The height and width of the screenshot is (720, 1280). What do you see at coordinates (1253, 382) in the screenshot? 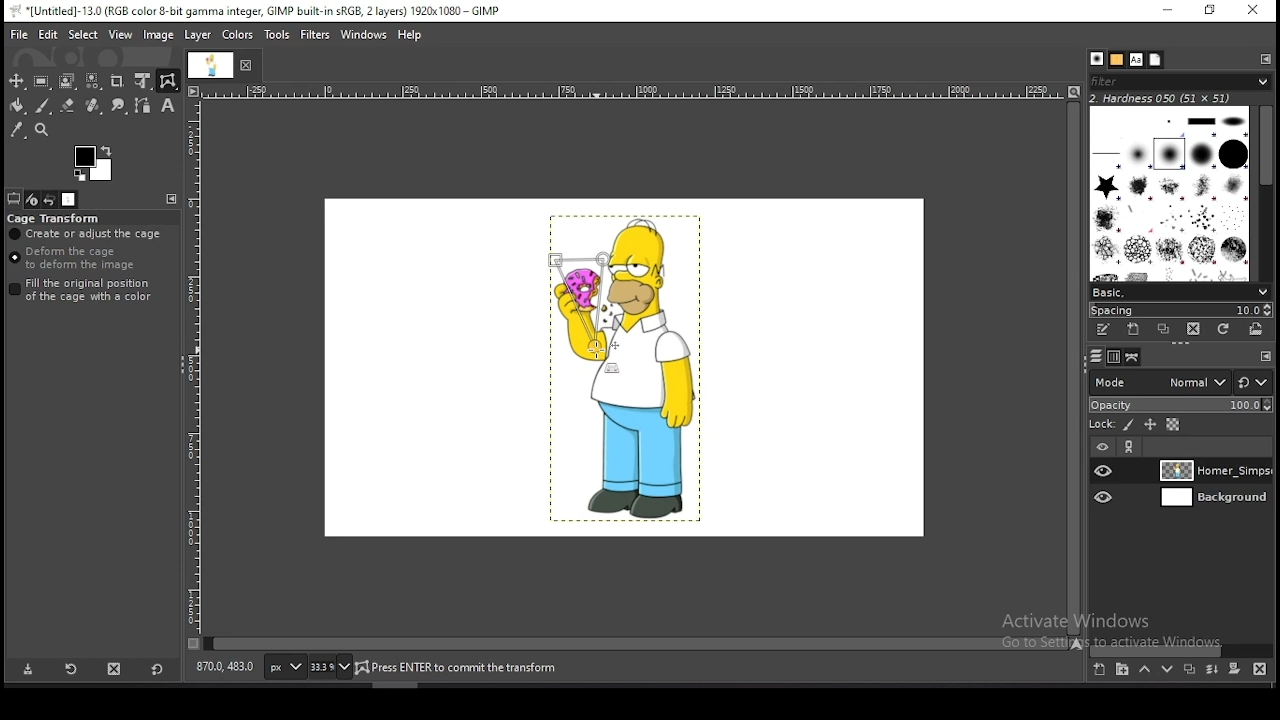
I see `rest` at bounding box center [1253, 382].